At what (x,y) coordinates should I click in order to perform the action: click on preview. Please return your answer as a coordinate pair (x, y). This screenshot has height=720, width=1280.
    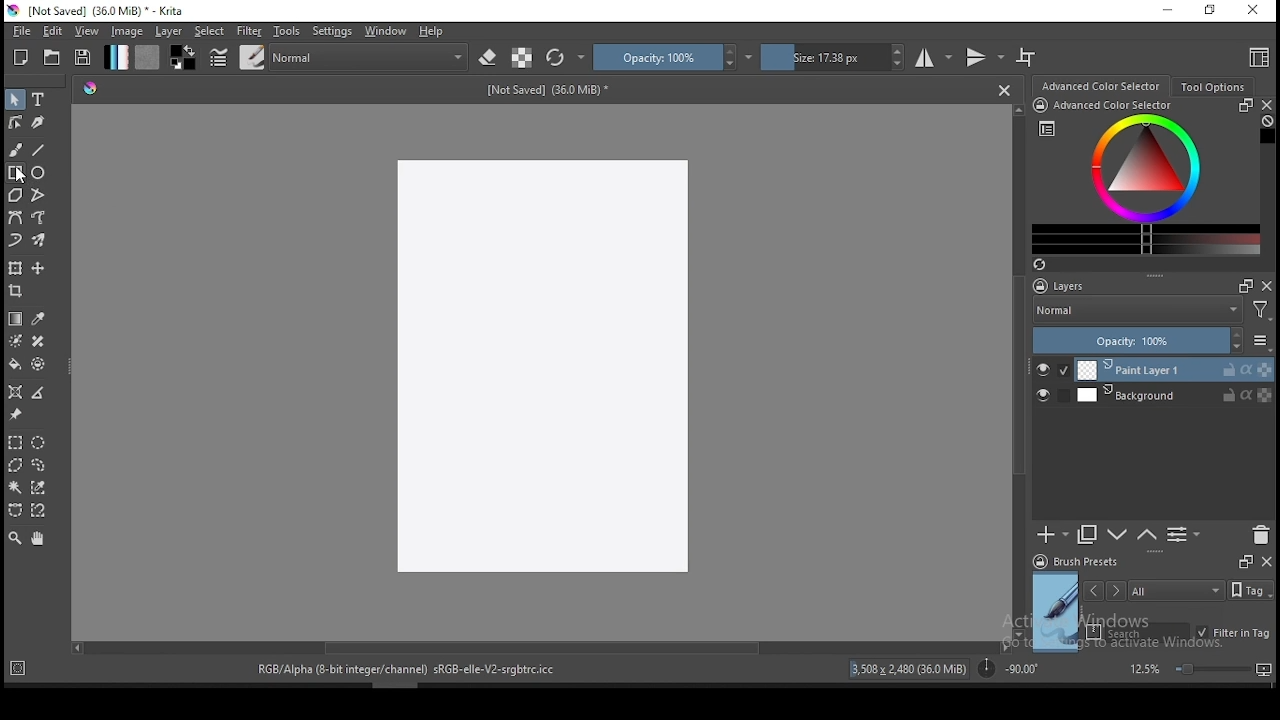
    Looking at the image, I should click on (1056, 612).